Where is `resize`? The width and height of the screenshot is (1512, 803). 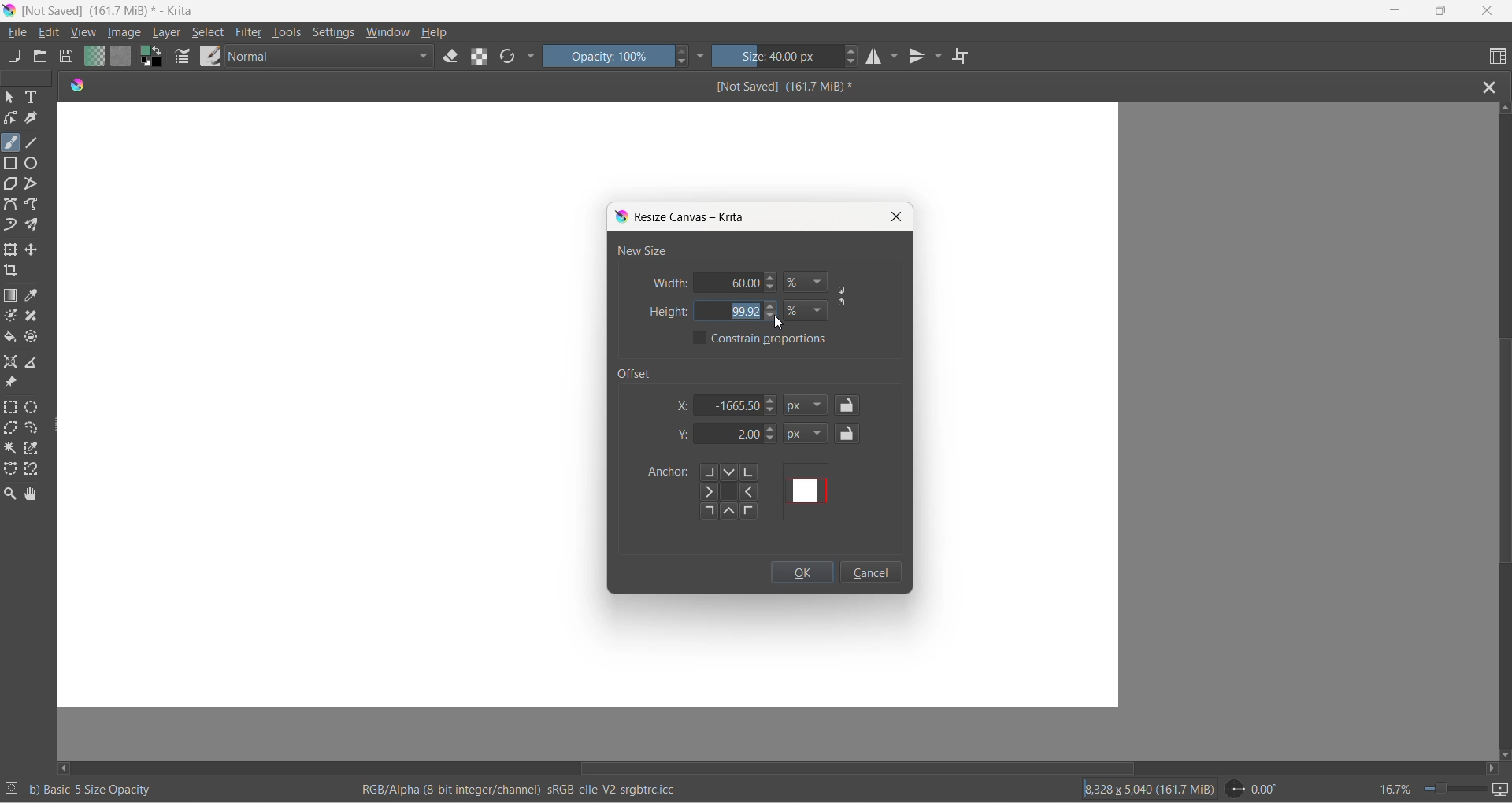 resize is located at coordinates (58, 428).